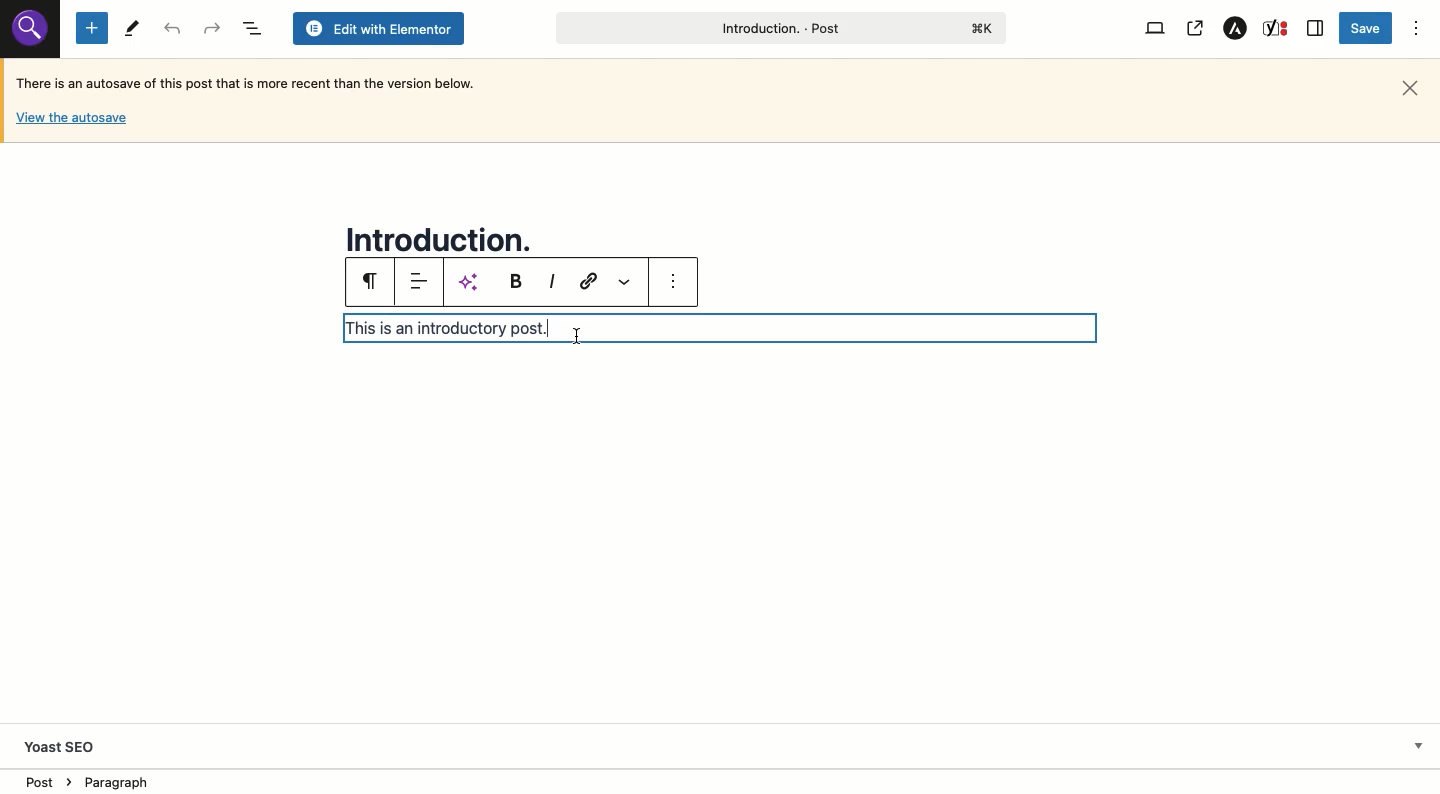 This screenshot has width=1440, height=794. I want to click on Document overview, so click(250, 28).